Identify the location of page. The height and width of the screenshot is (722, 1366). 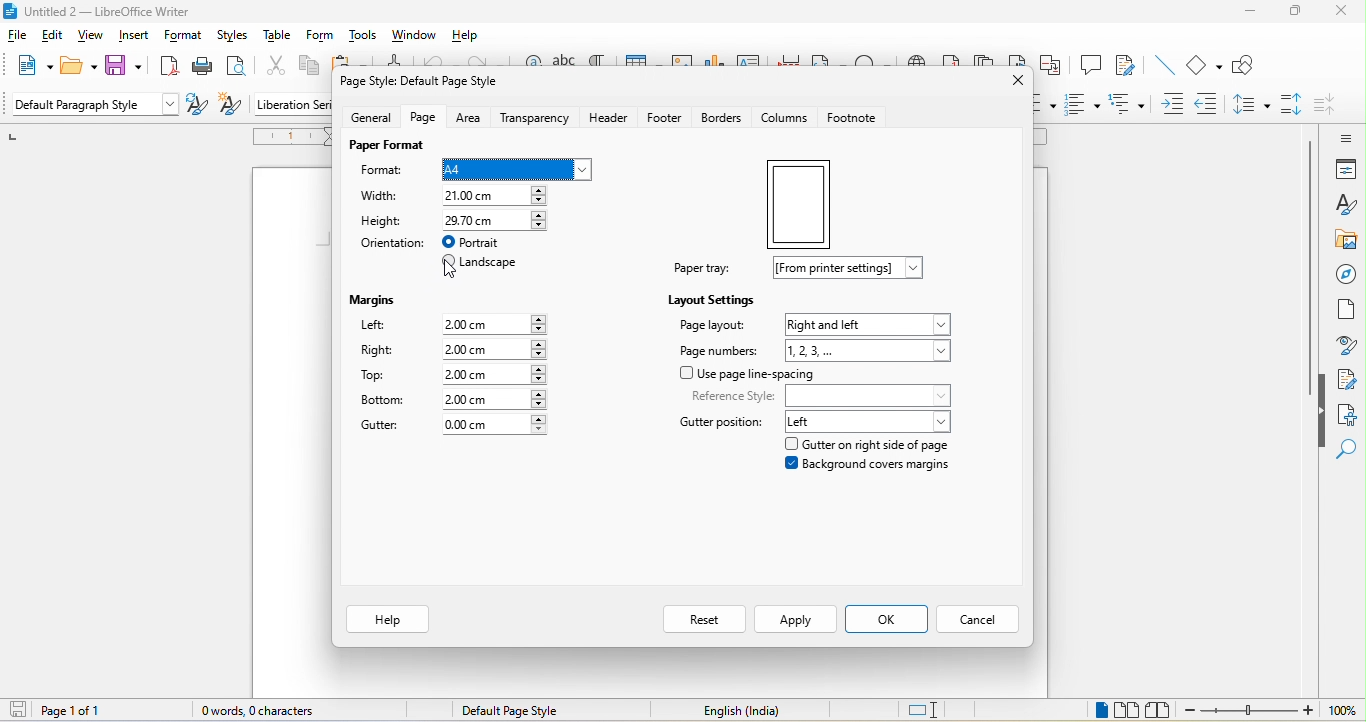
(799, 201).